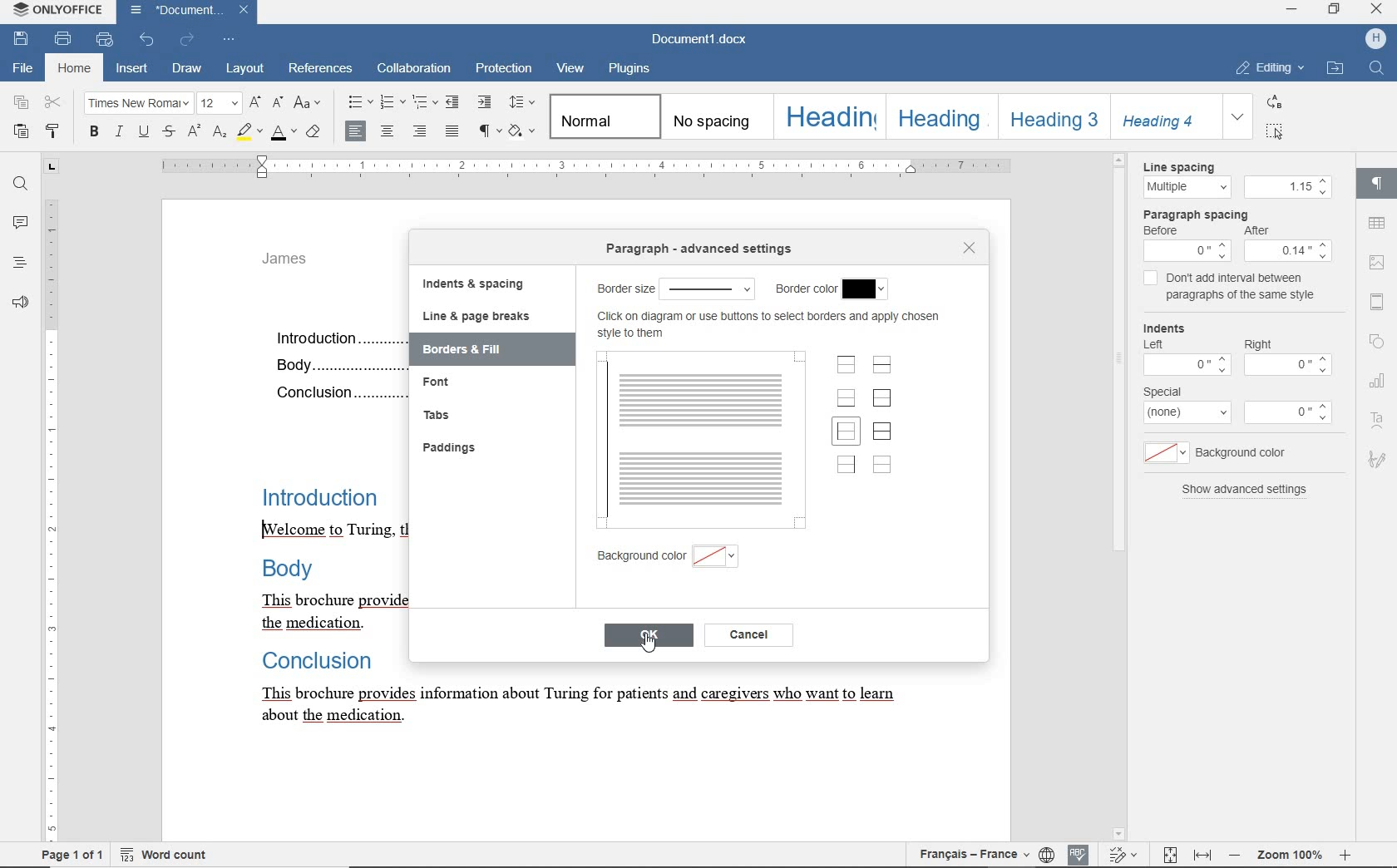 The height and width of the screenshot is (868, 1397). What do you see at coordinates (104, 40) in the screenshot?
I see `quick print` at bounding box center [104, 40].